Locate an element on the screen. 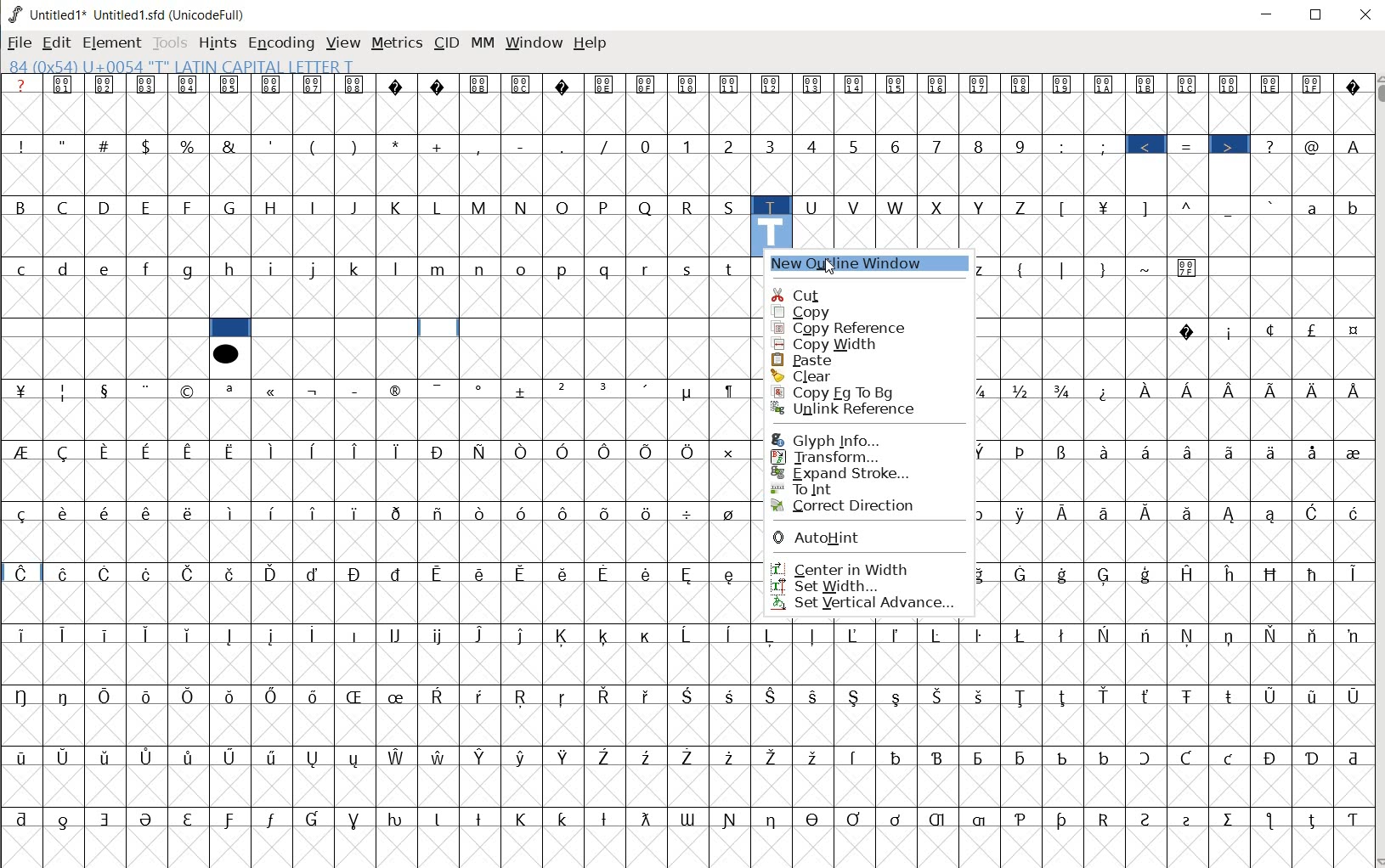  Symbol is located at coordinates (606, 573).